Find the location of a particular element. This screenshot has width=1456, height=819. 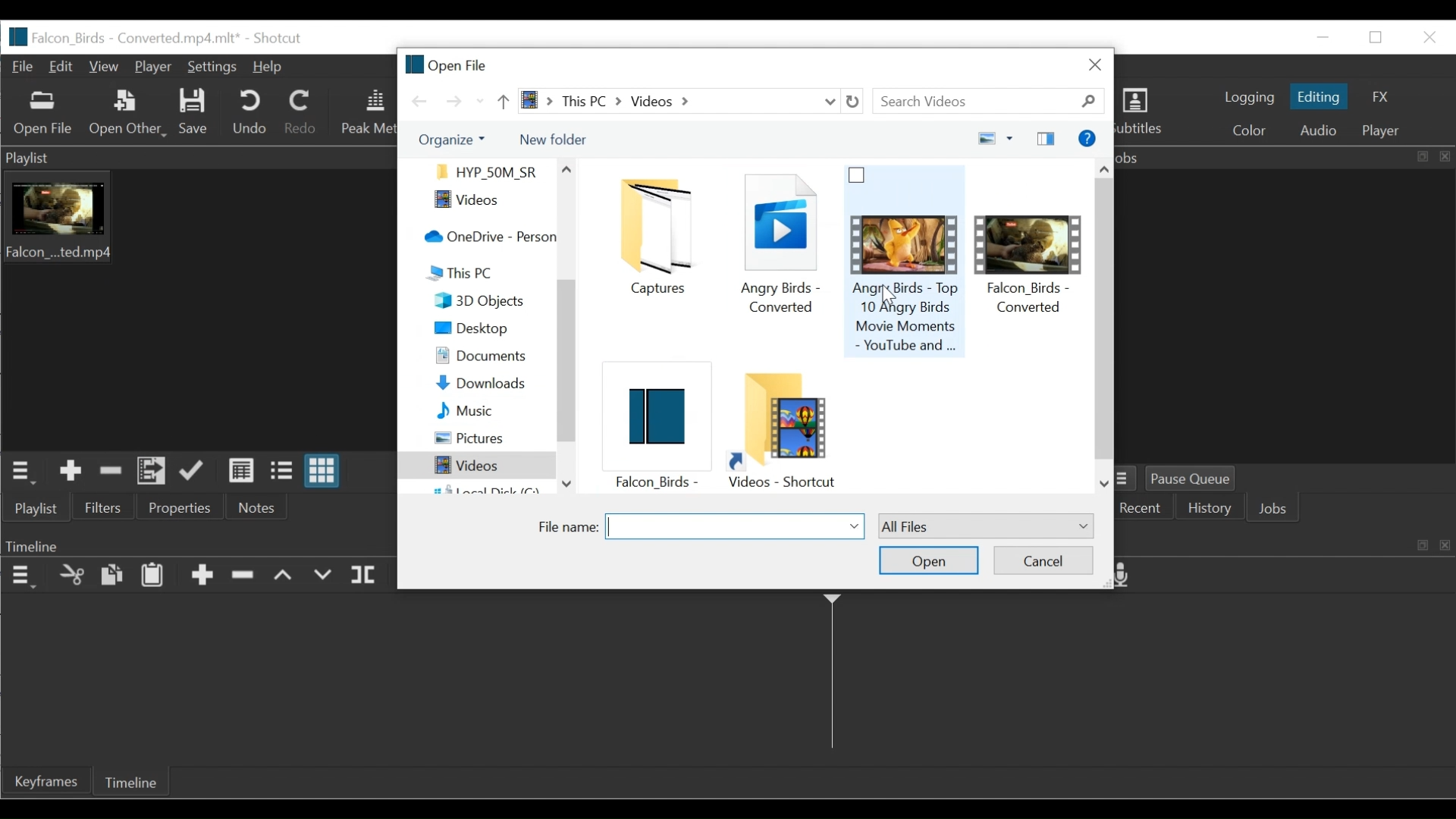

Videos is located at coordinates (481, 202).